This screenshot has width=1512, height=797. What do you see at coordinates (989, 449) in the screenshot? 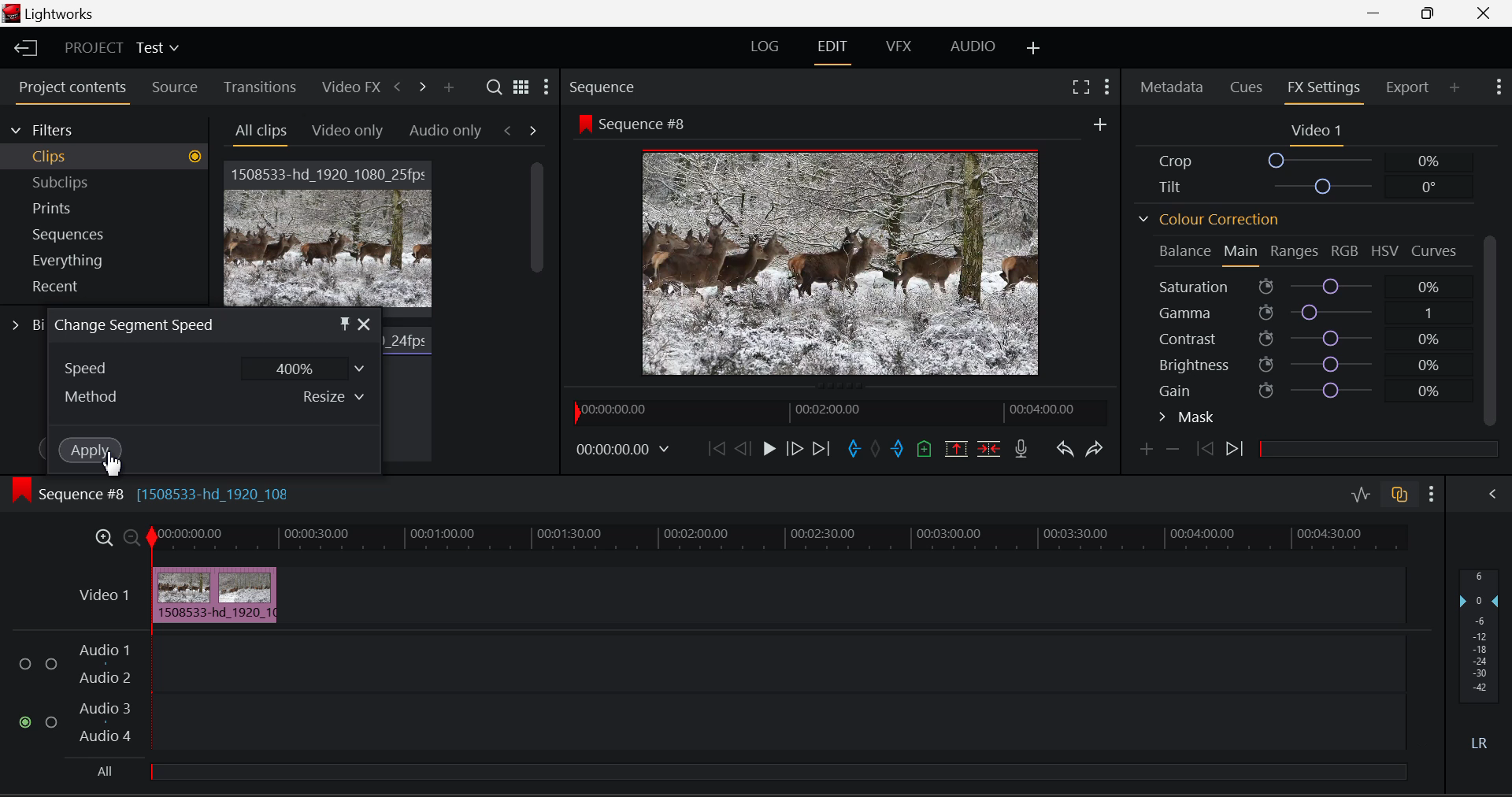
I see `Delete/Cut` at bounding box center [989, 449].